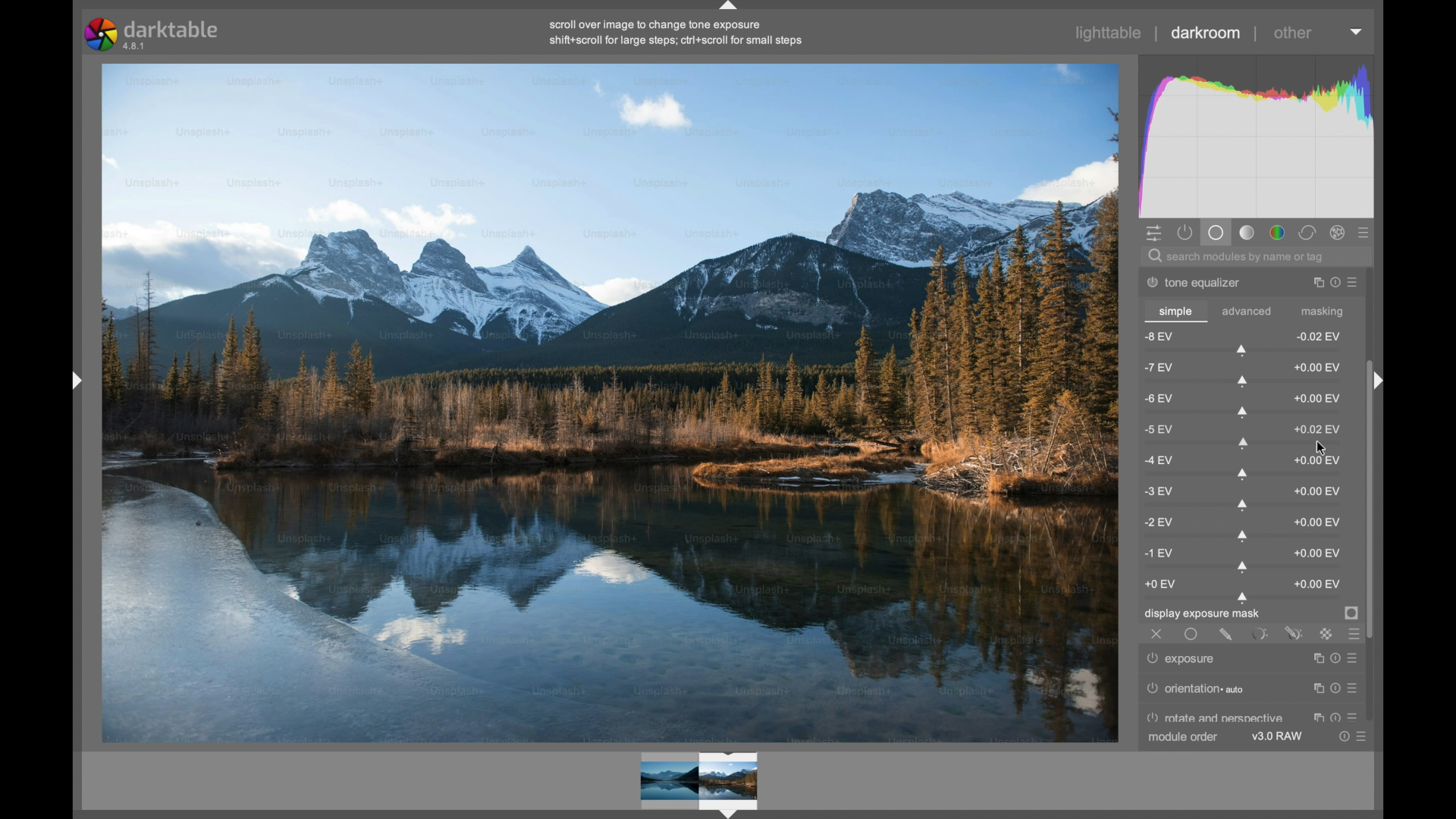 The width and height of the screenshot is (1456, 819). What do you see at coordinates (1338, 233) in the screenshot?
I see `effect` at bounding box center [1338, 233].